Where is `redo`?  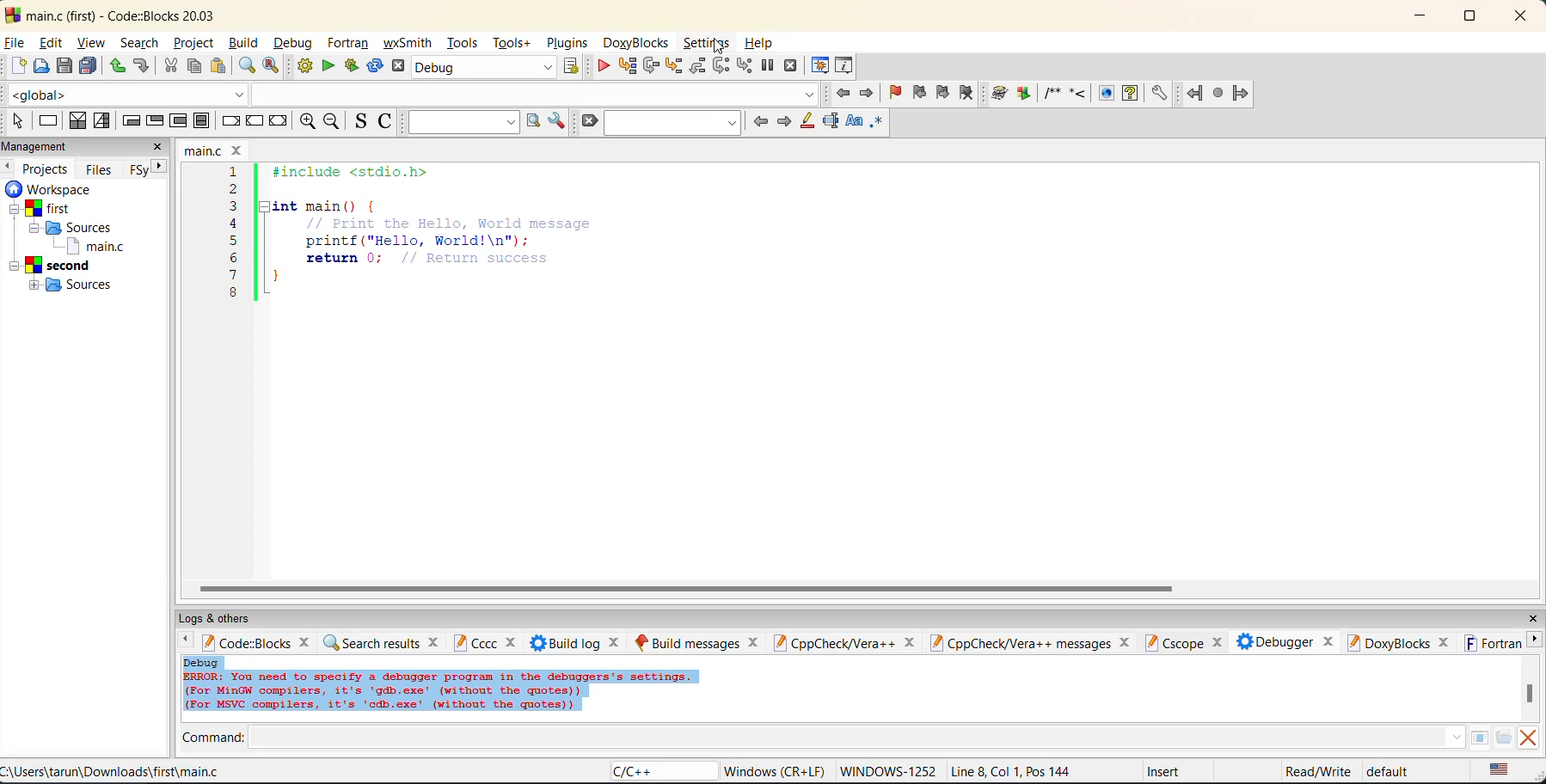 redo is located at coordinates (142, 65).